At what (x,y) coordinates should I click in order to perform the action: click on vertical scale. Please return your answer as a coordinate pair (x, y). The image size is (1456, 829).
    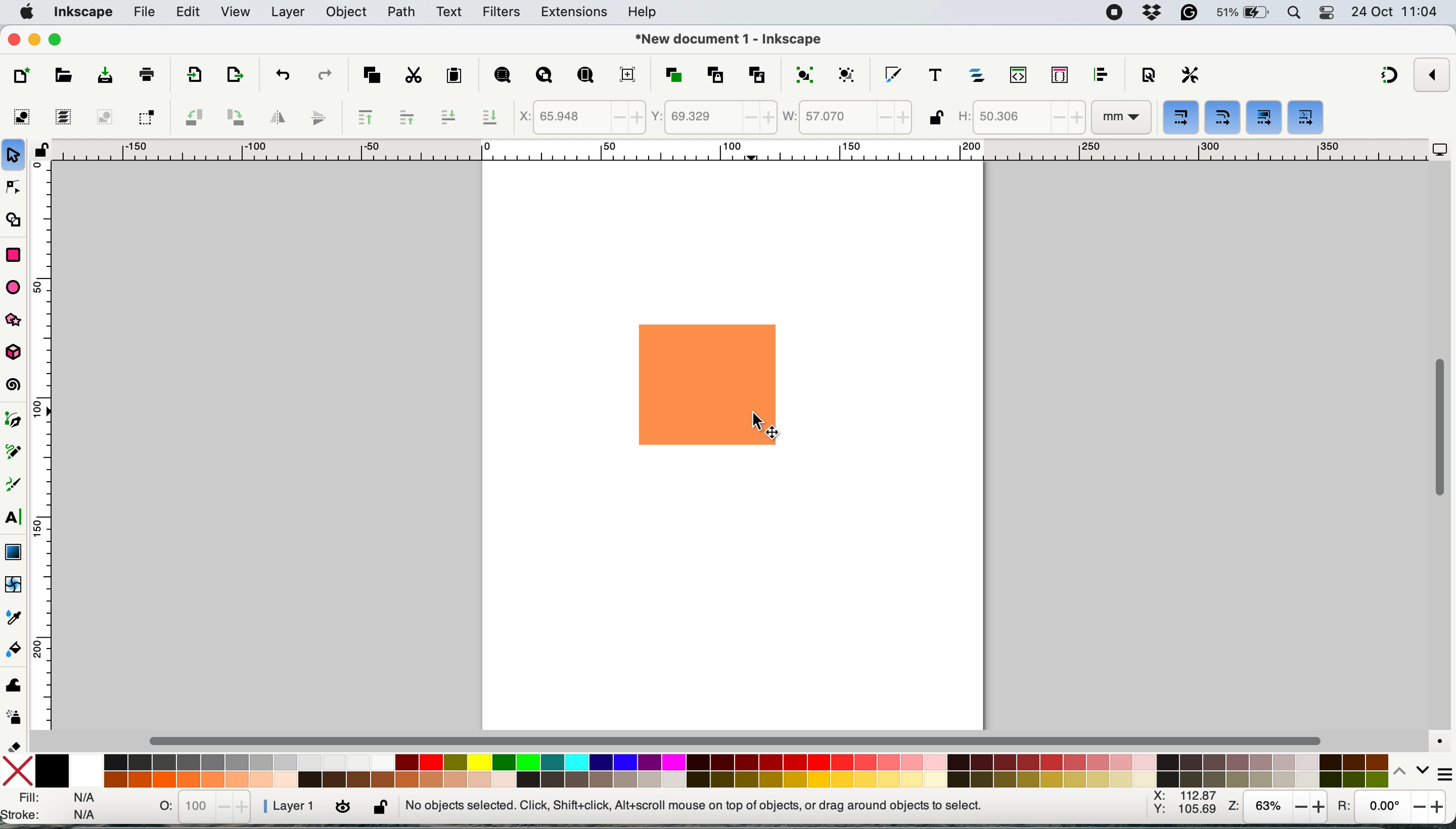
    Looking at the image, I should click on (52, 451).